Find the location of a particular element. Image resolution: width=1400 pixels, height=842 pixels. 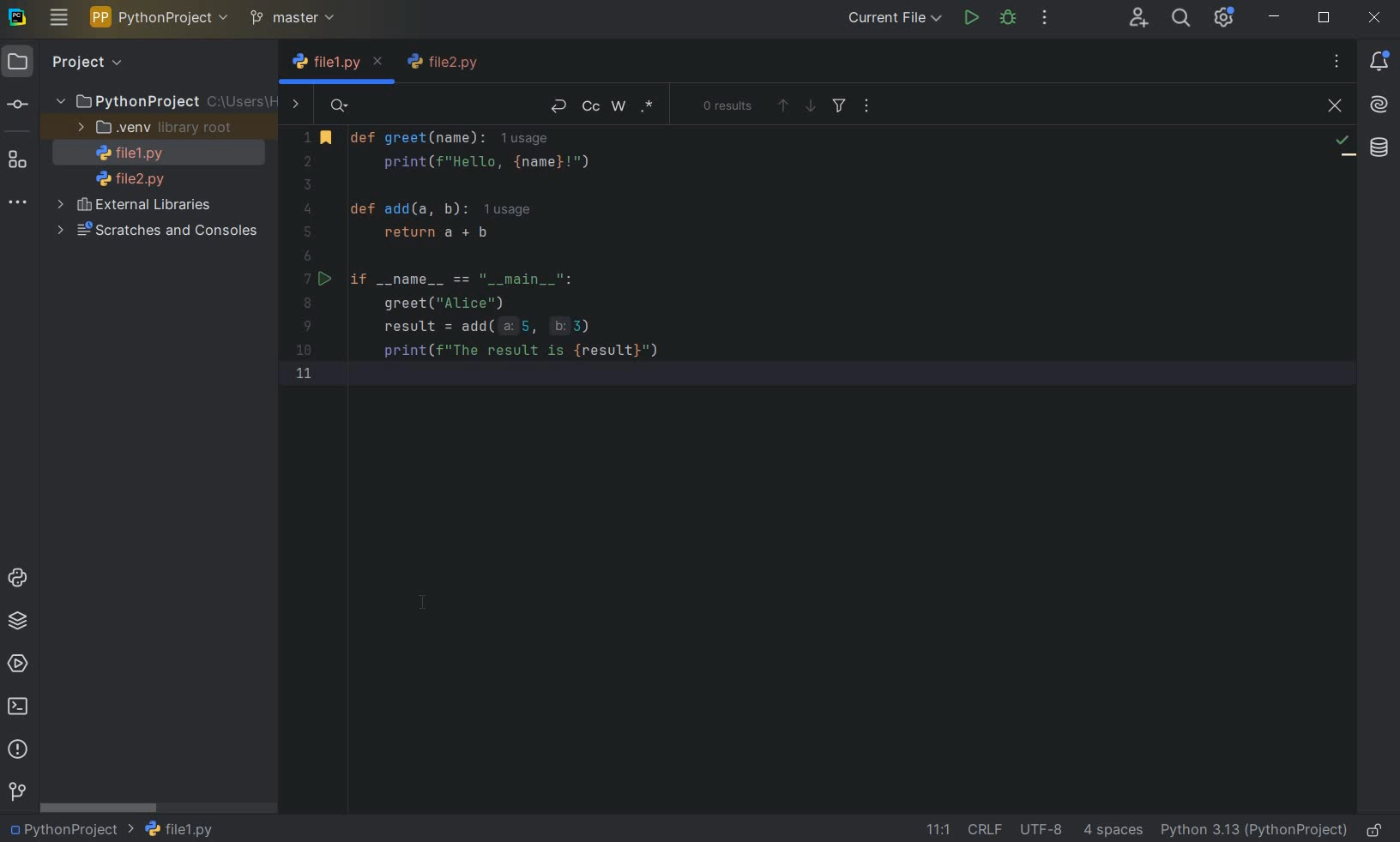

SCROLLBAR is located at coordinates (99, 809).